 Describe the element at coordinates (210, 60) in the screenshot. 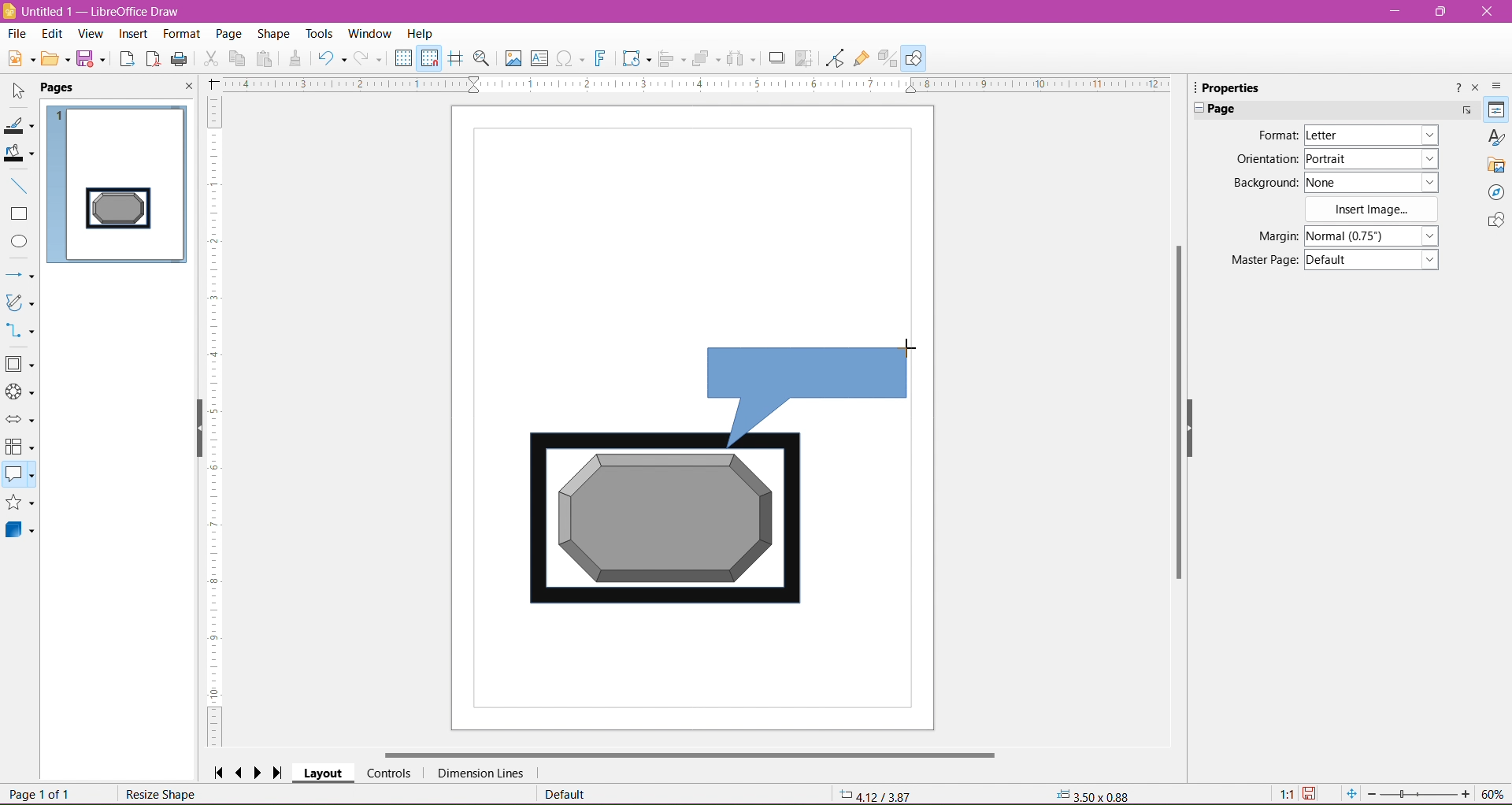

I see `Cut` at that location.